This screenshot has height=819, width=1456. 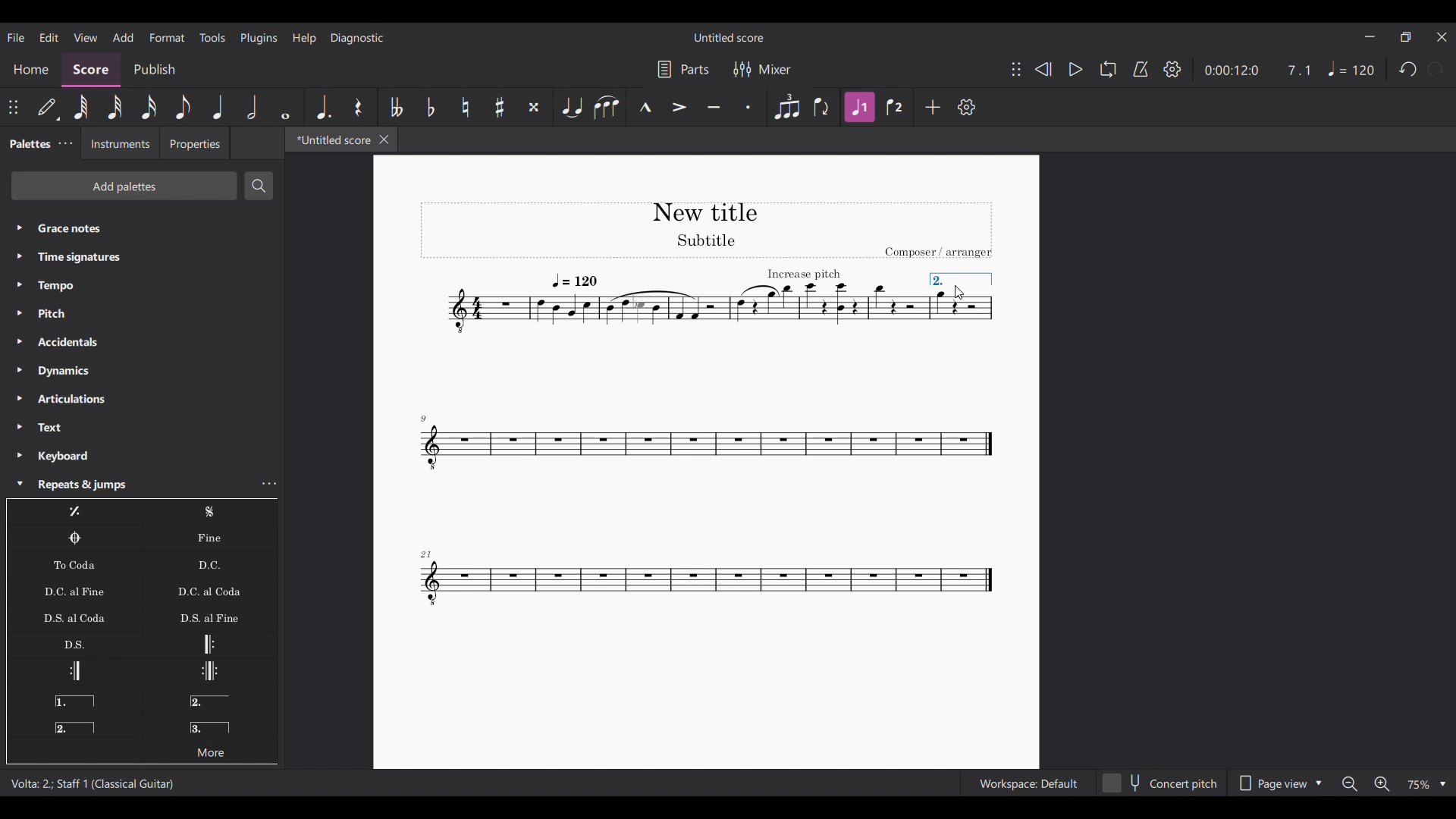 What do you see at coordinates (49, 107) in the screenshot?
I see `Default` at bounding box center [49, 107].